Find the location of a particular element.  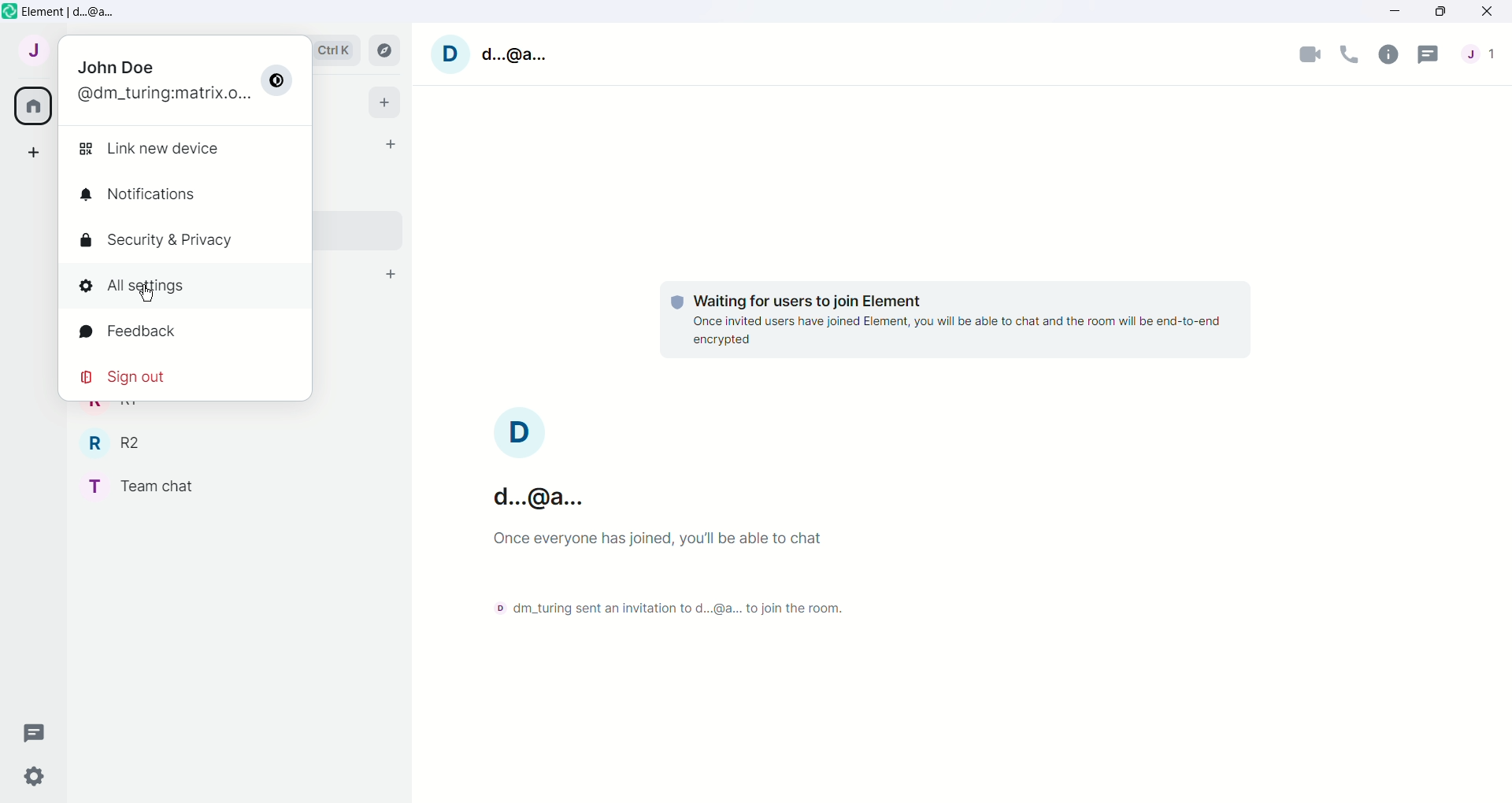

Protection shield logo is located at coordinates (678, 302).